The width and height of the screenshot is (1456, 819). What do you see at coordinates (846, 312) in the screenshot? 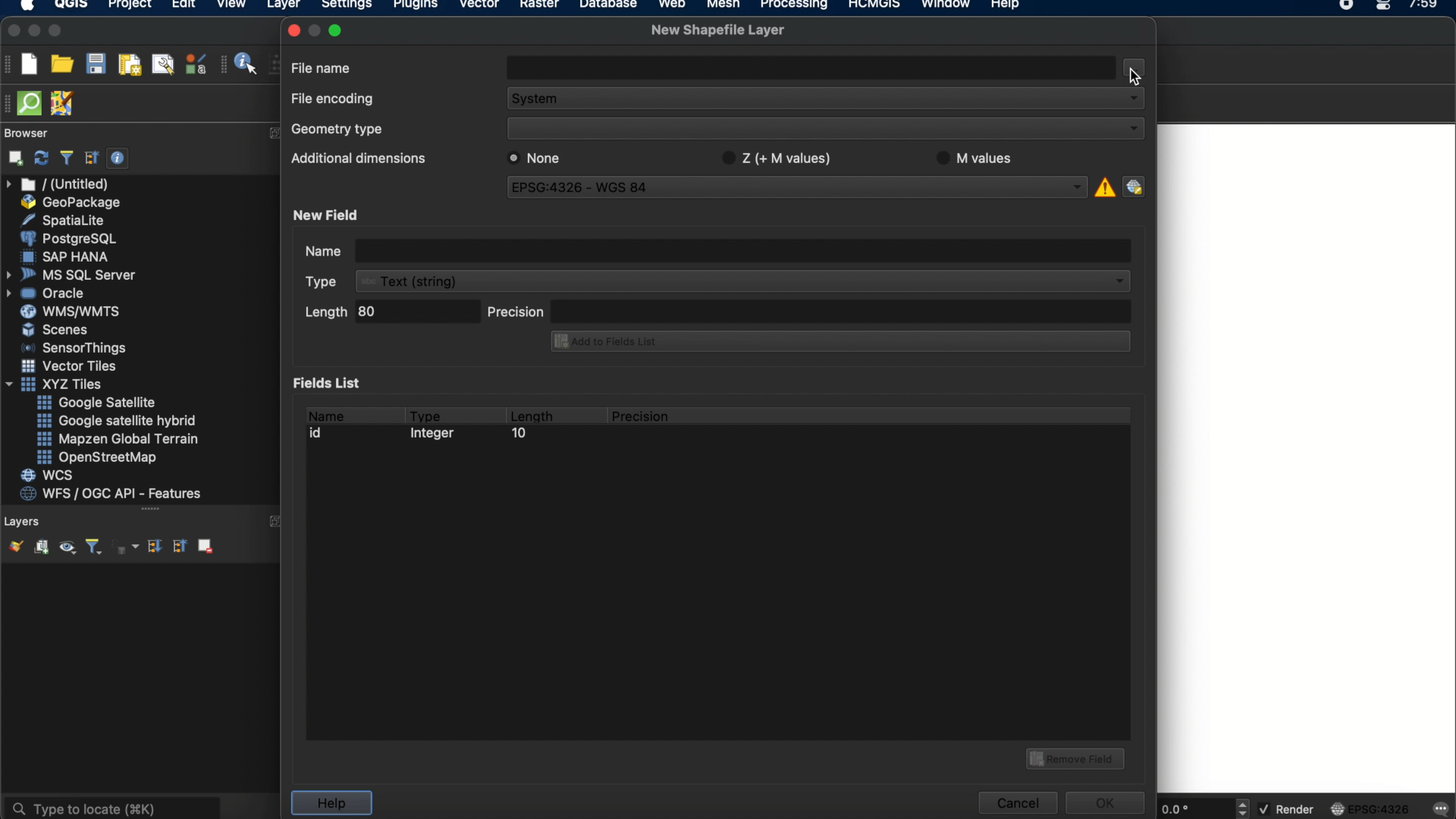
I see `text box` at bounding box center [846, 312].